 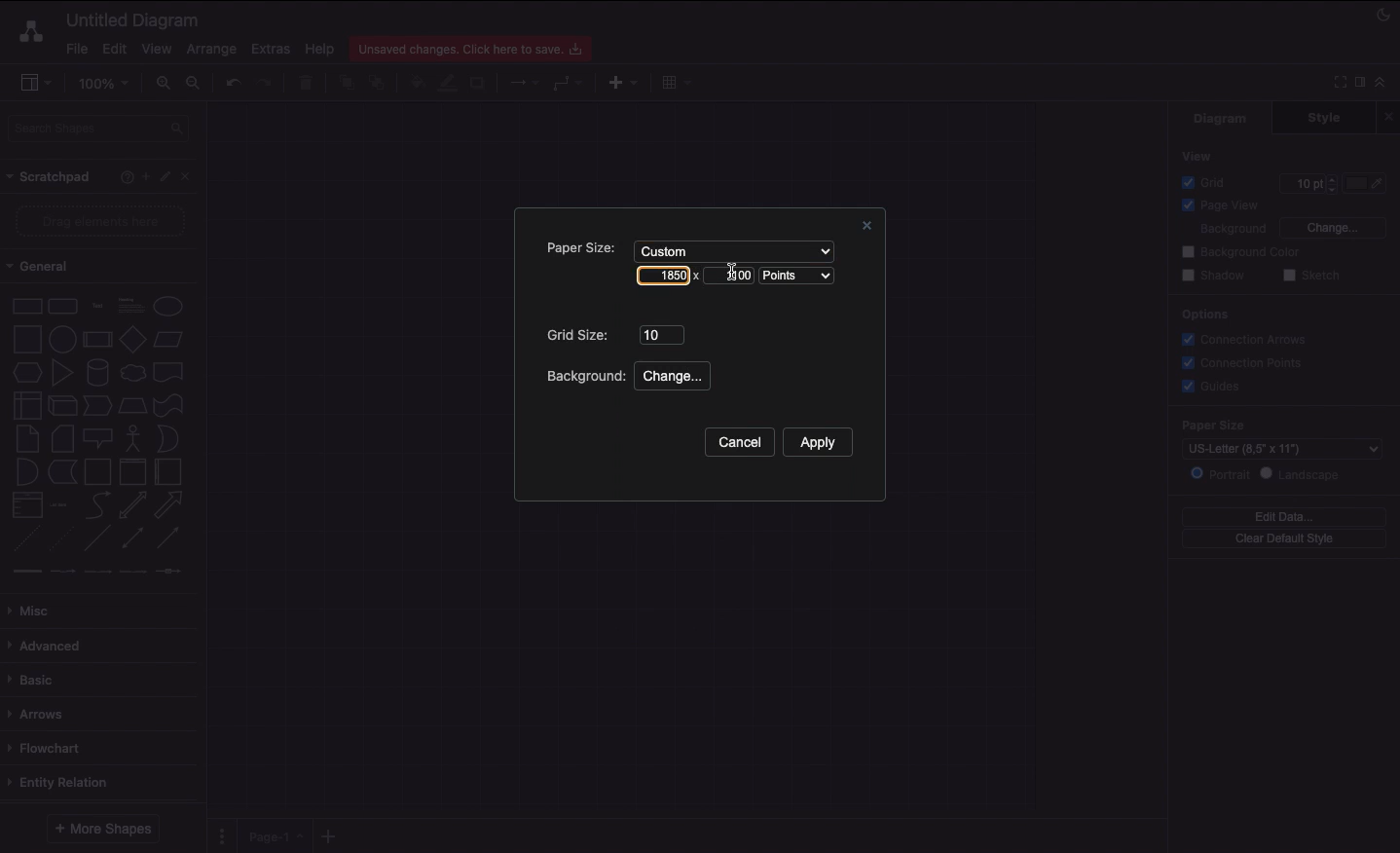 I want to click on Text box, so click(x=129, y=306).